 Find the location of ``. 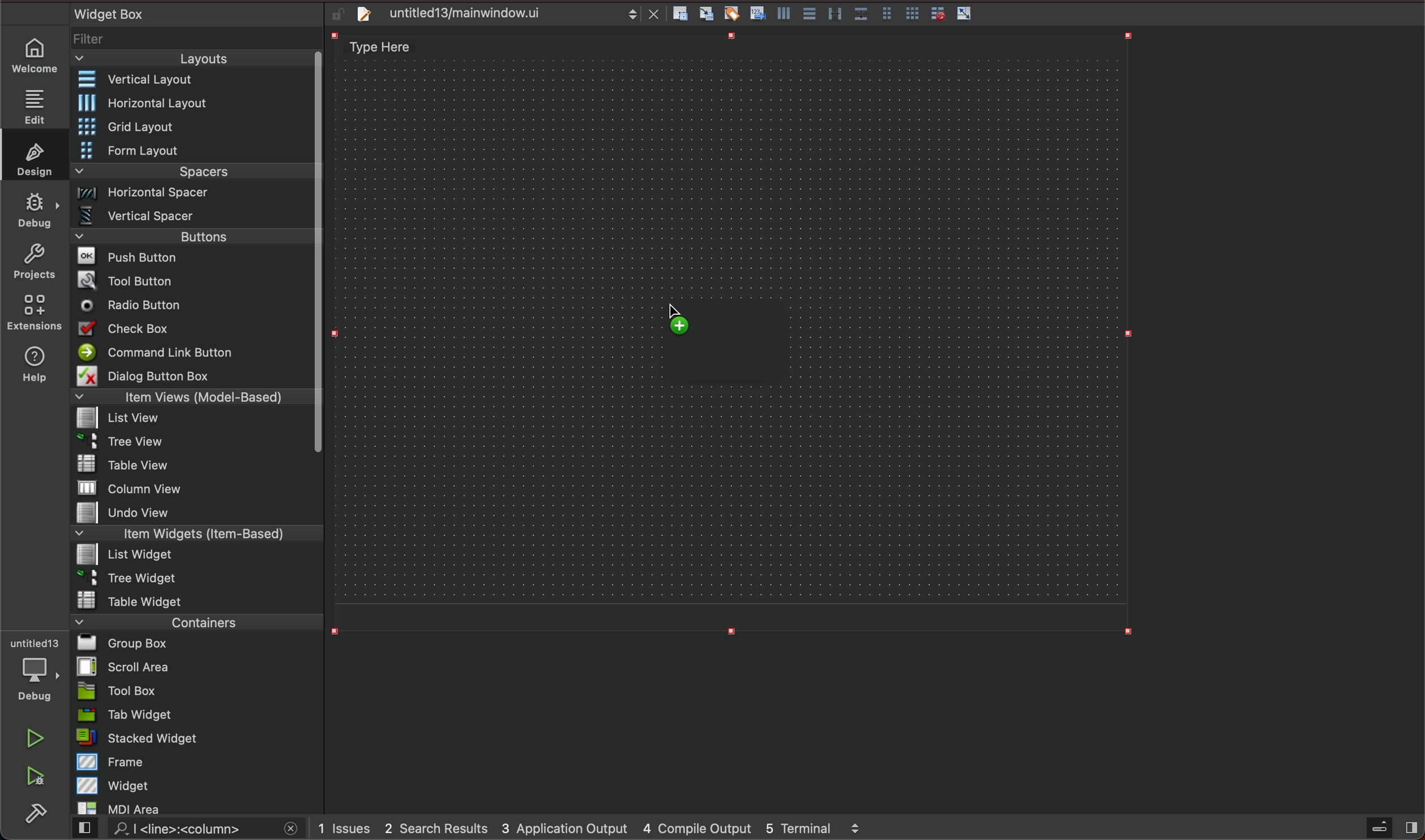

 is located at coordinates (861, 13).